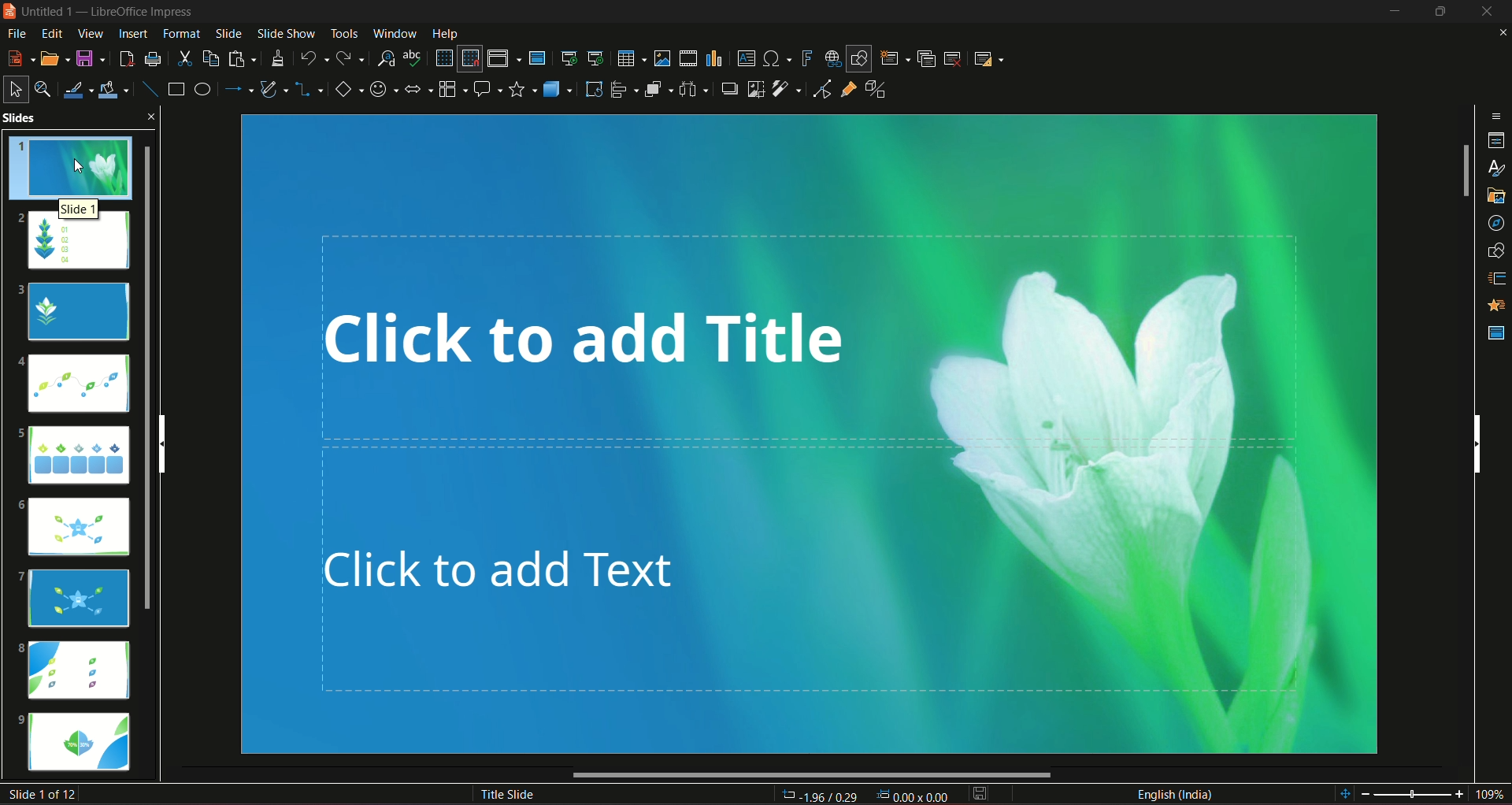  Describe the element at coordinates (754, 88) in the screenshot. I see `crop image` at that location.